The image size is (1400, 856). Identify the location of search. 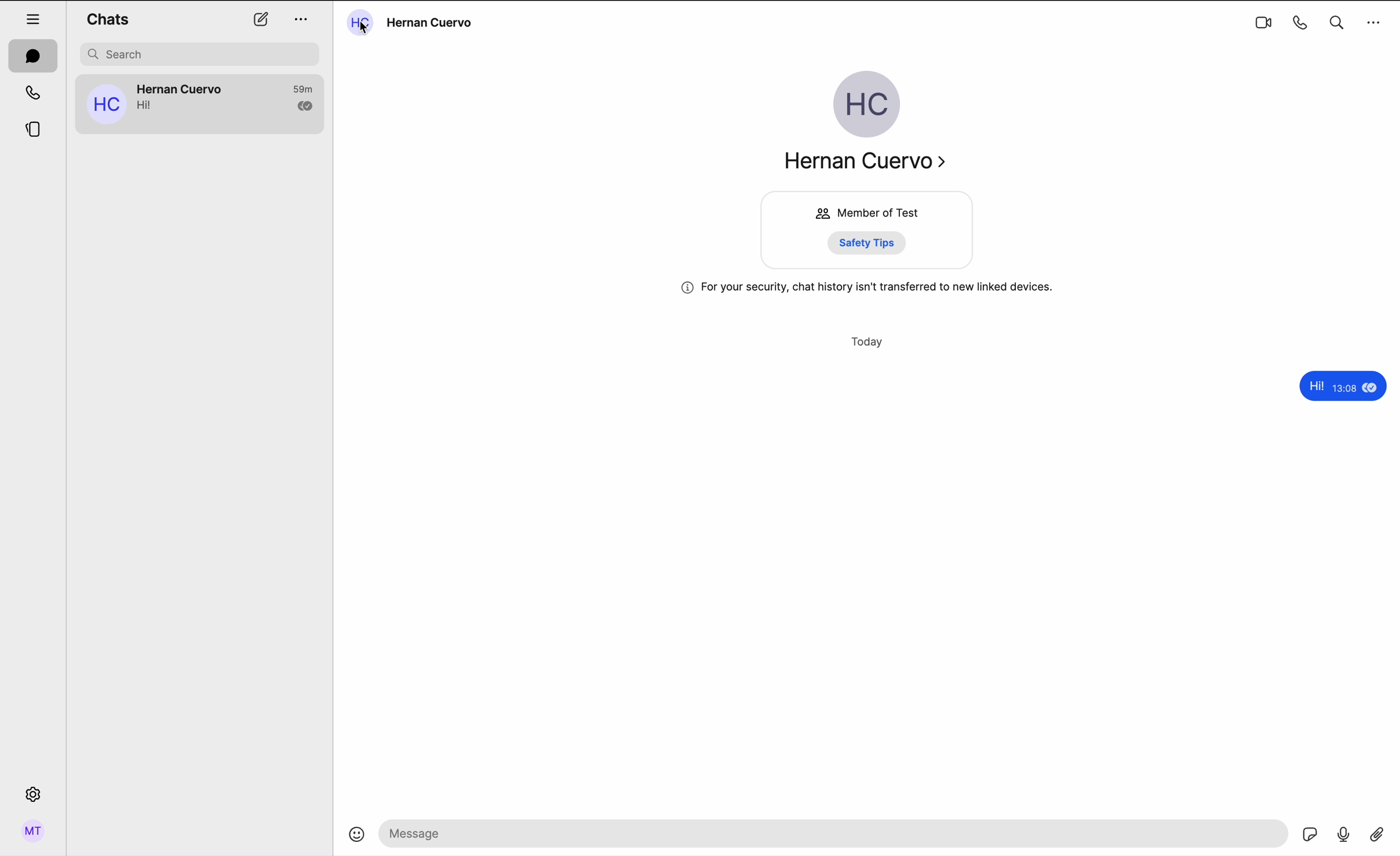
(1337, 23).